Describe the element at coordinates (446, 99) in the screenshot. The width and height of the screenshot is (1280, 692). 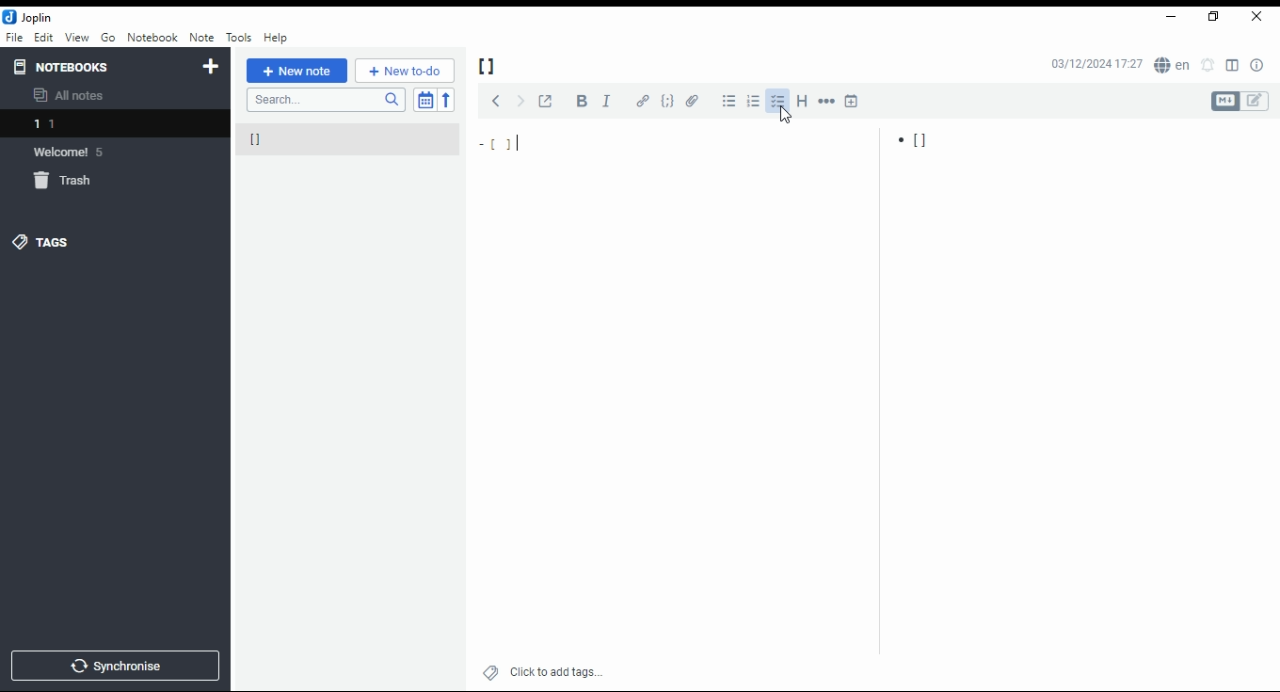
I see `sort order reverse` at that location.